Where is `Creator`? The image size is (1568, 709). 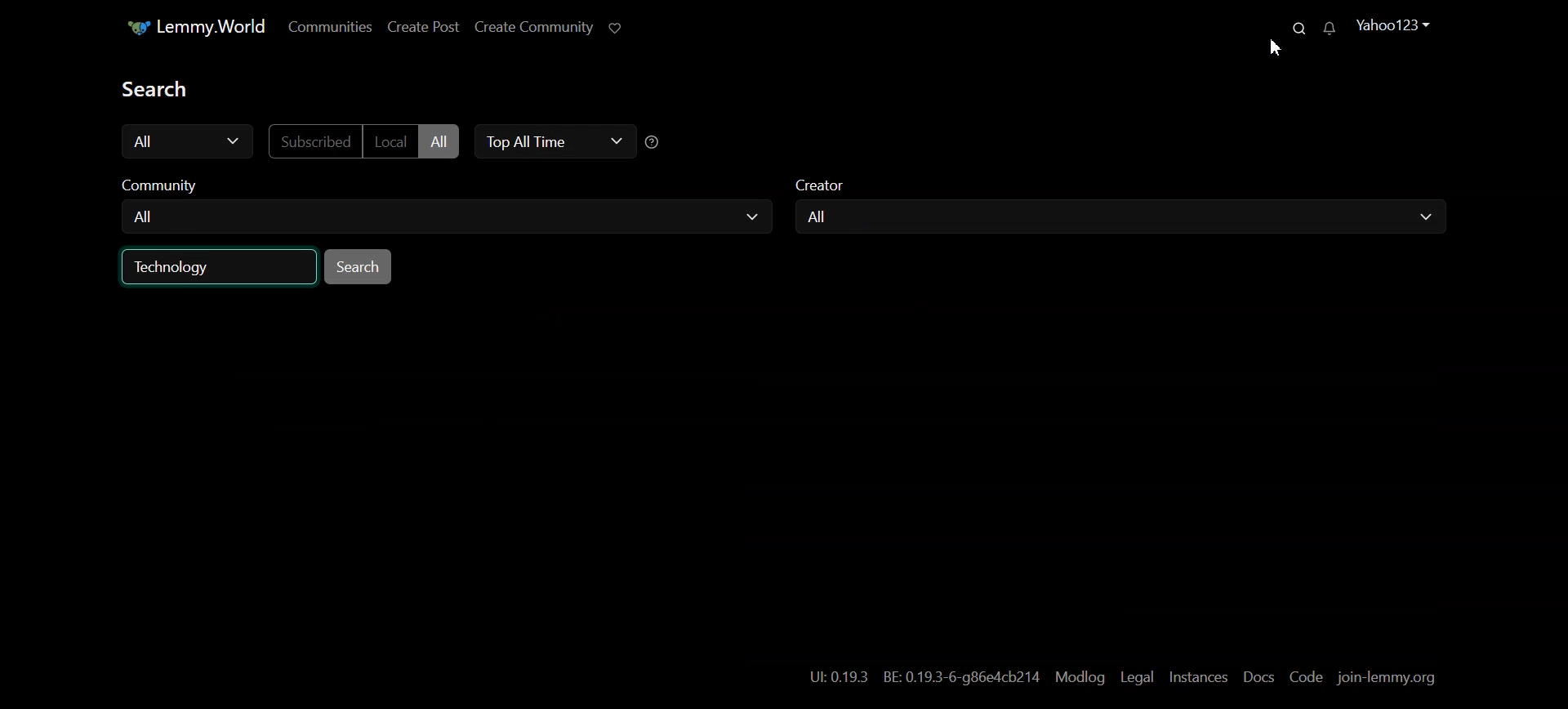
Creator is located at coordinates (825, 182).